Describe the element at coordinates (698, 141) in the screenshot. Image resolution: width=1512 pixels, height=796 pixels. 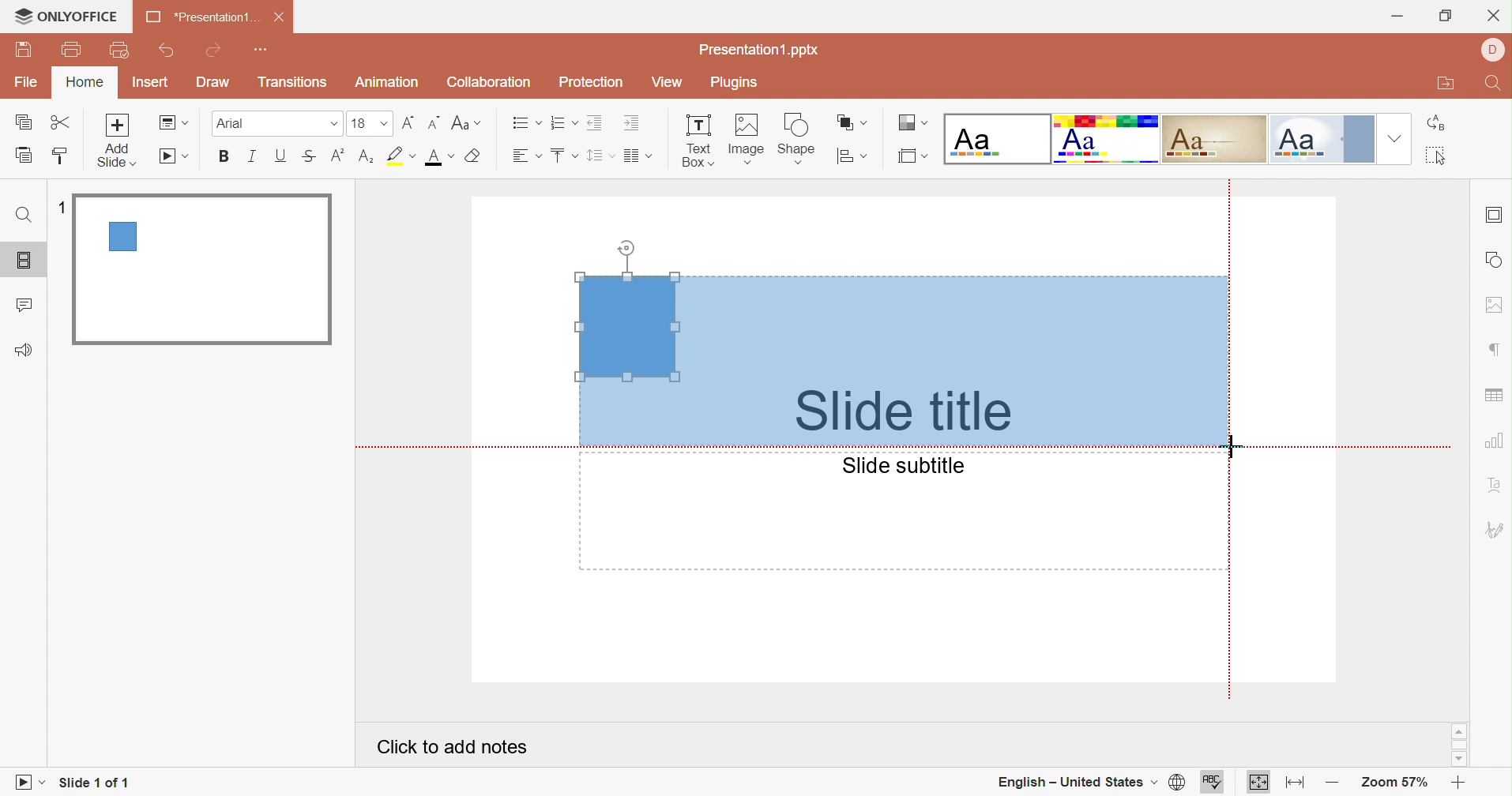
I see `Text box` at that location.